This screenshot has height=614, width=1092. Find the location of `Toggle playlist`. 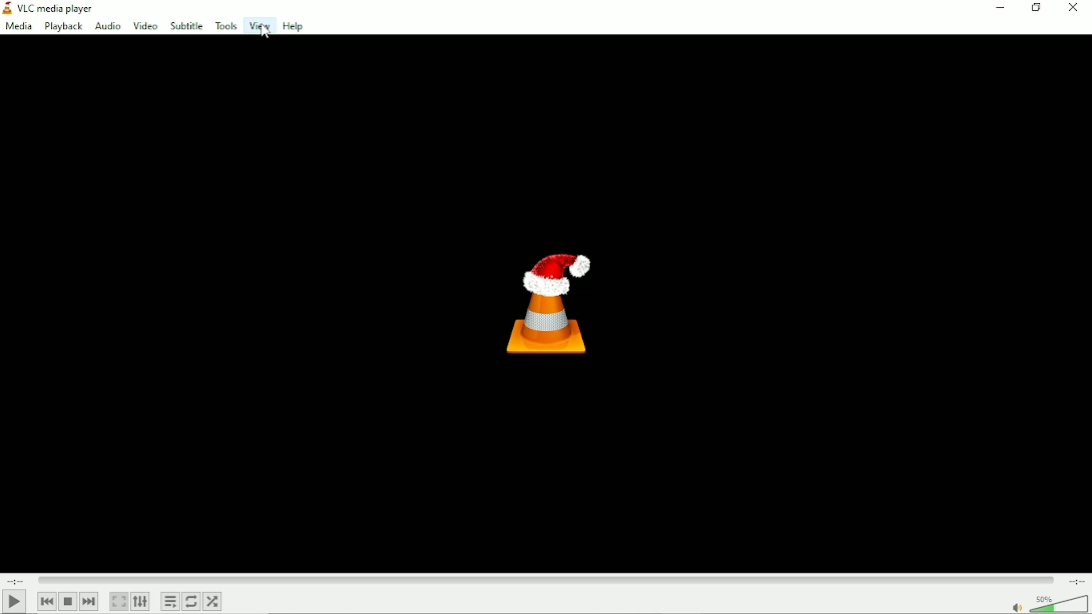

Toggle playlist is located at coordinates (170, 601).